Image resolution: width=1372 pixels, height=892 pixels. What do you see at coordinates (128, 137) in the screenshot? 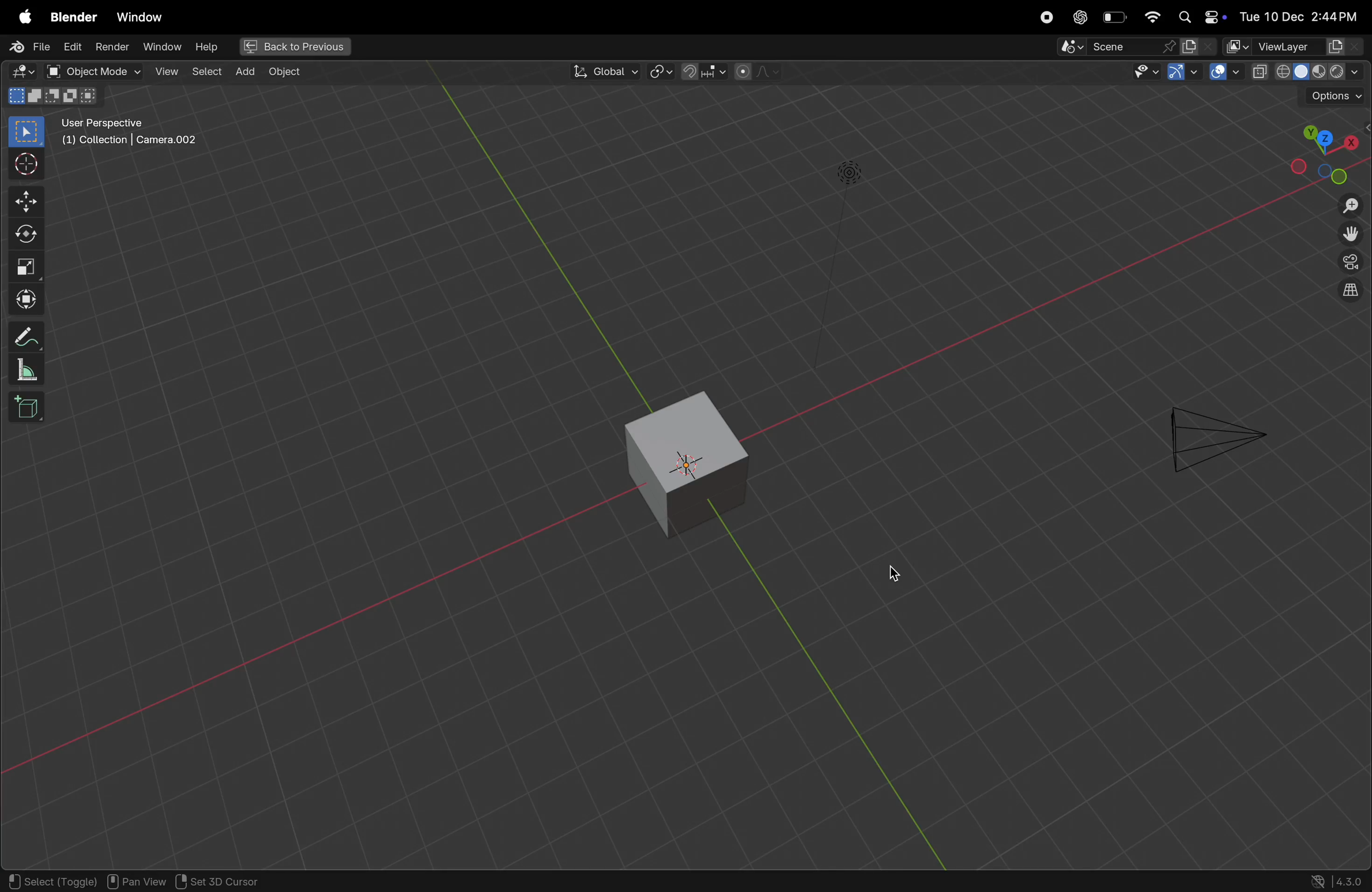
I see `User perspective` at bounding box center [128, 137].